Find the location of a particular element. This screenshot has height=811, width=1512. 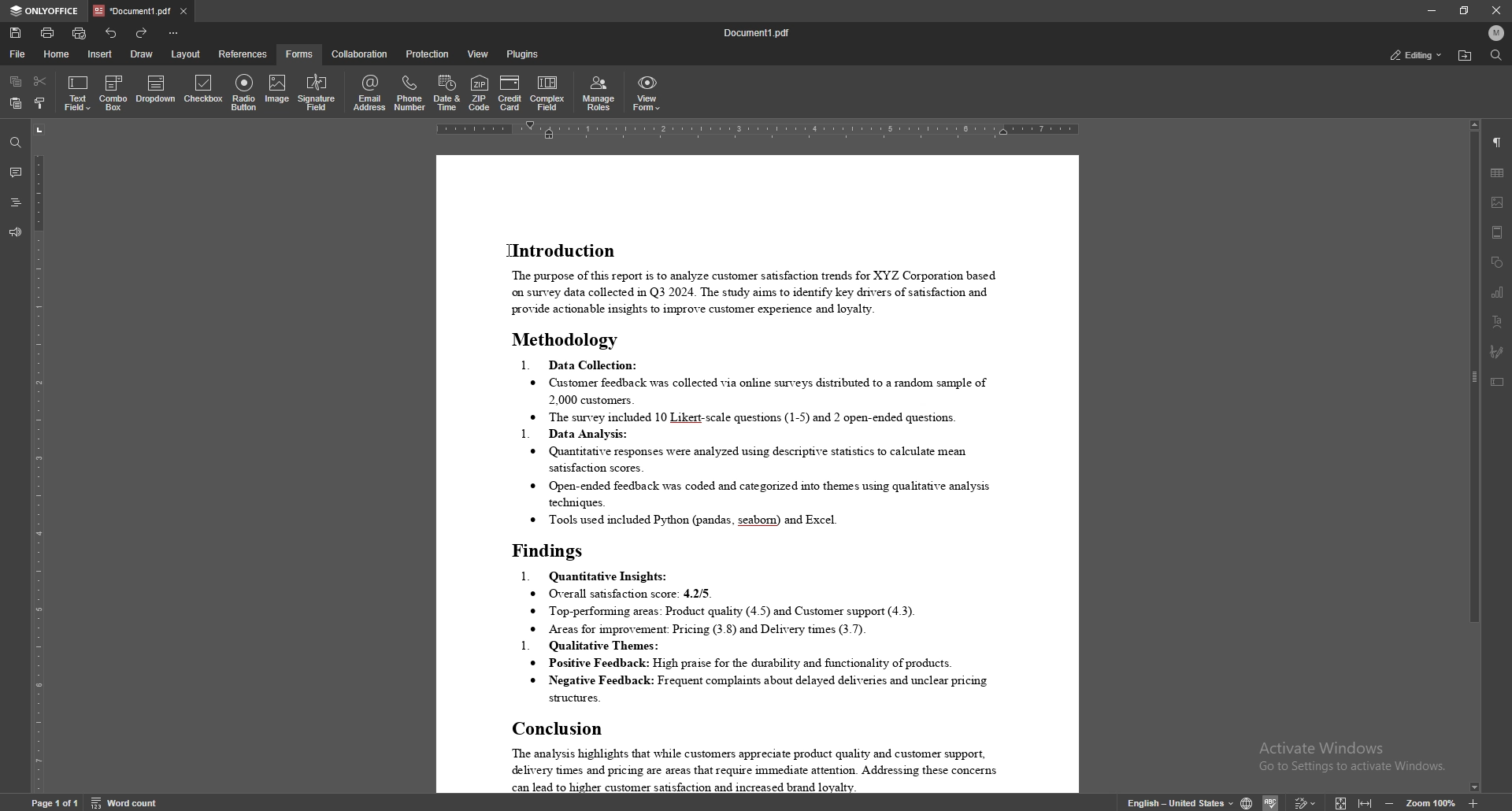

horizontal scale is located at coordinates (758, 129).